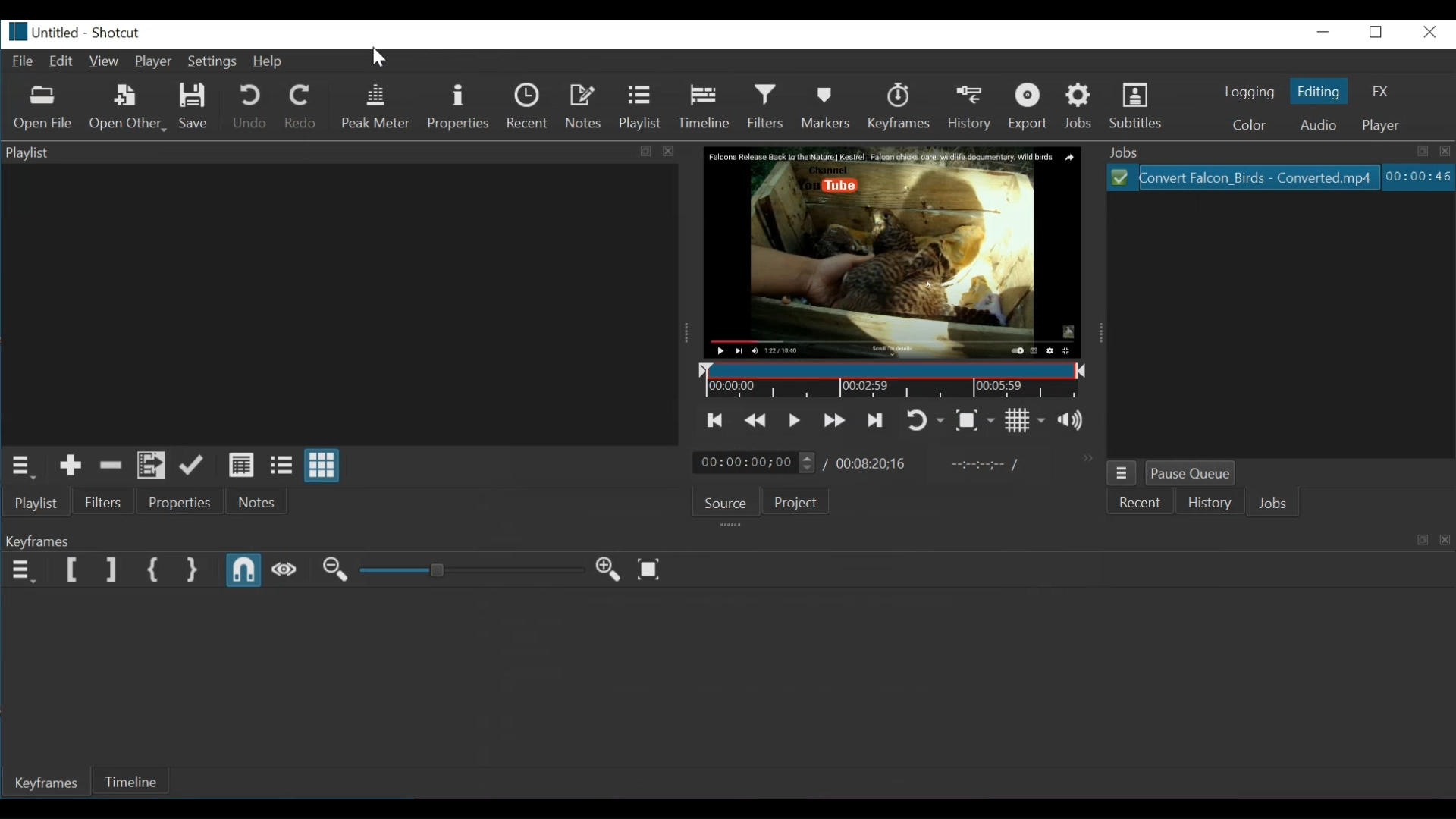 Image resolution: width=1456 pixels, height=819 pixels. Describe the element at coordinates (1031, 107) in the screenshot. I see `Export` at that location.